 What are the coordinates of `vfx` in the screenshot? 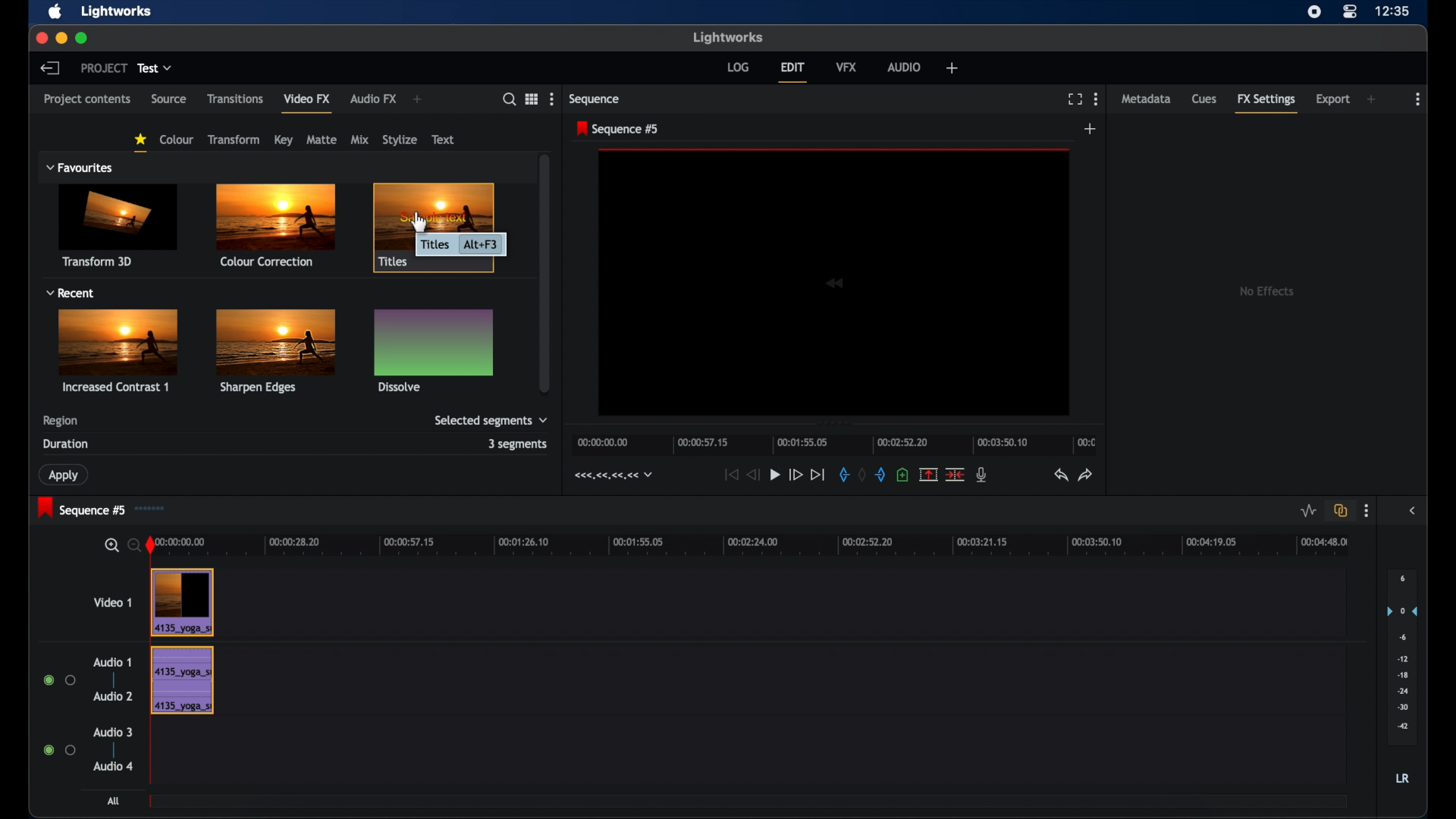 It's located at (847, 67).